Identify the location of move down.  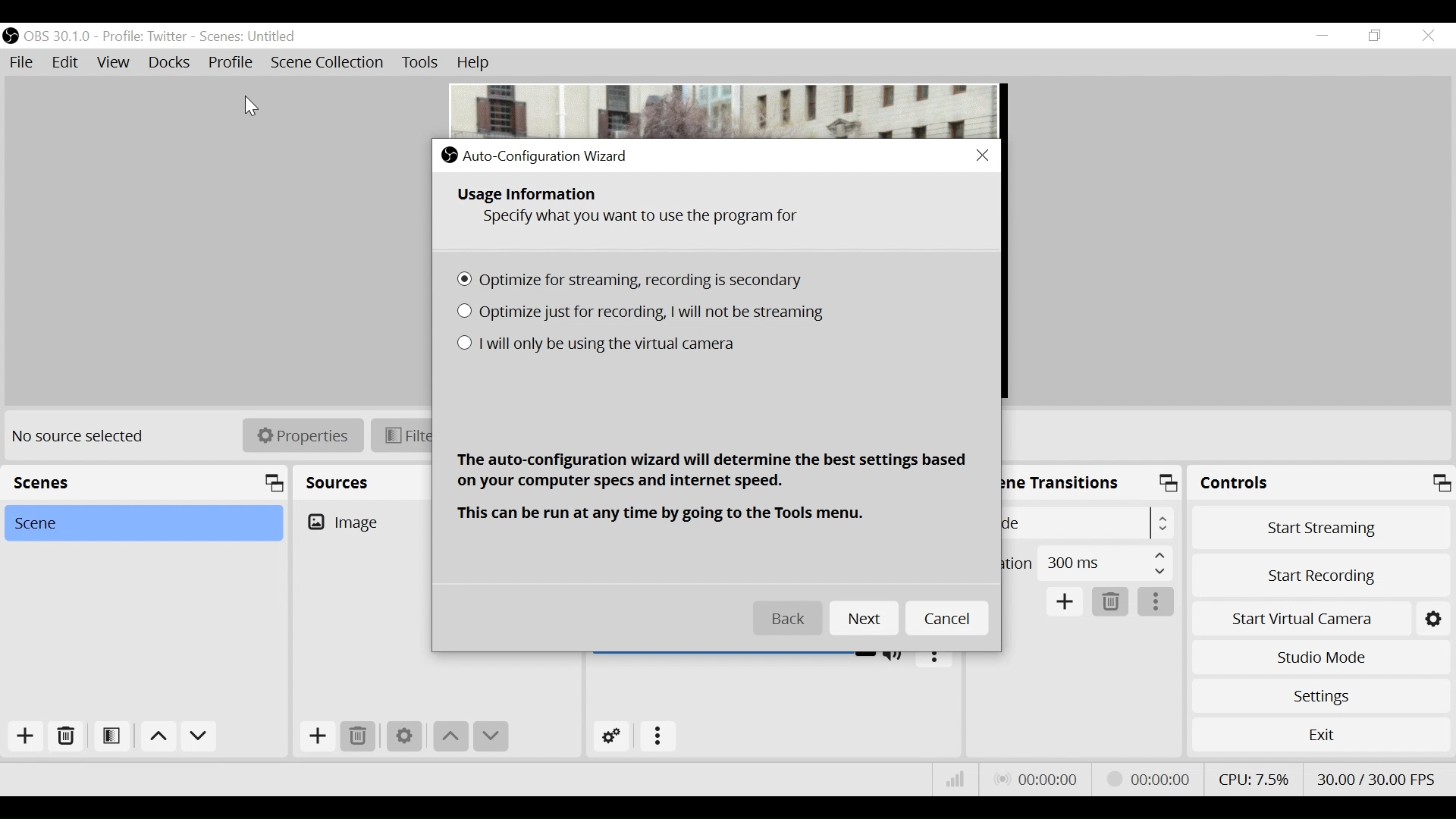
(199, 737).